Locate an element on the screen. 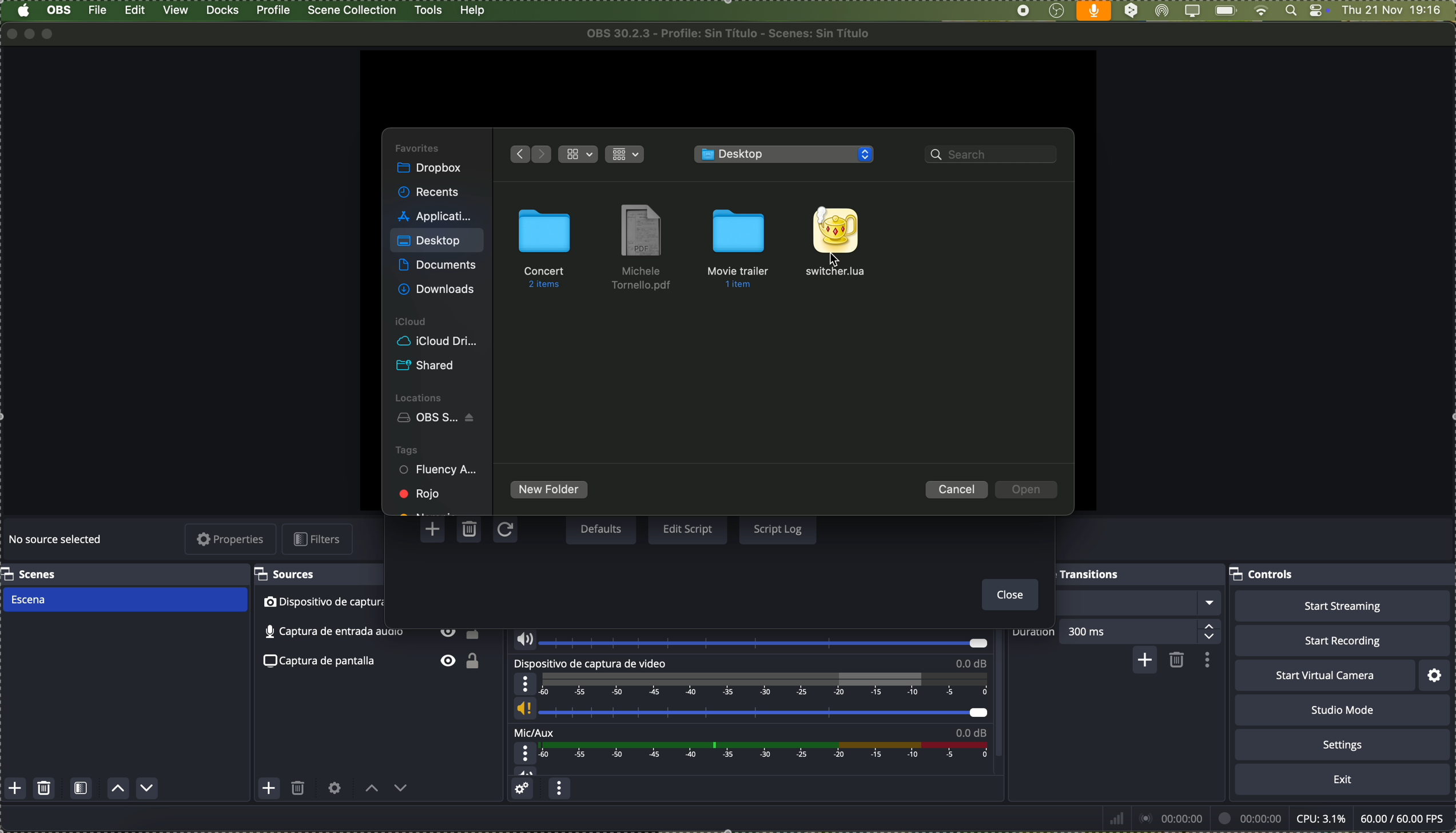 This screenshot has height=833, width=1456. fluency tag is located at coordinates (439, 471).